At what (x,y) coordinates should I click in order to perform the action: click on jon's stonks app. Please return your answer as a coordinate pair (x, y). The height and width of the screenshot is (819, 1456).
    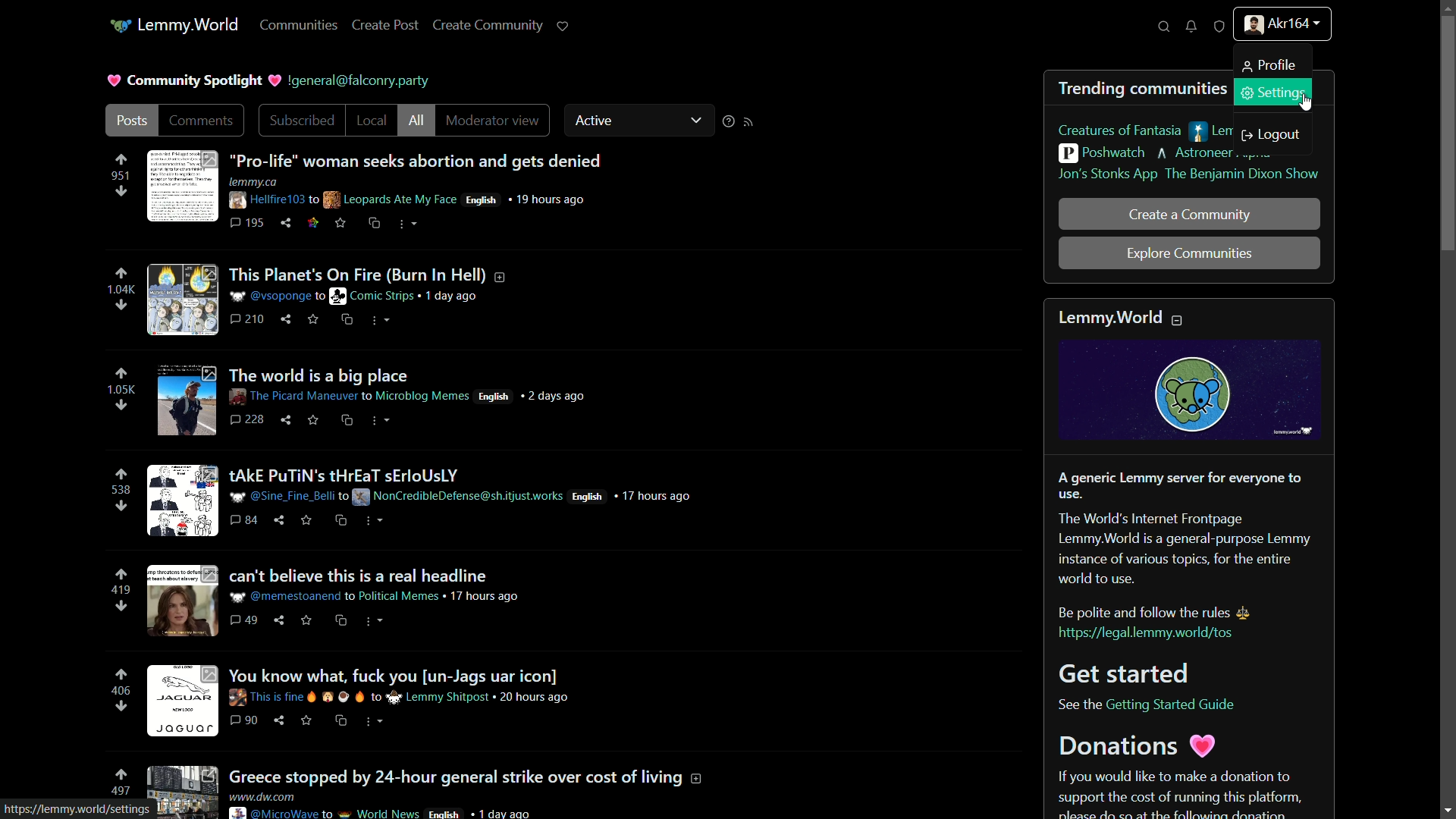
    Looking at the image, I should click on (1108, 174).